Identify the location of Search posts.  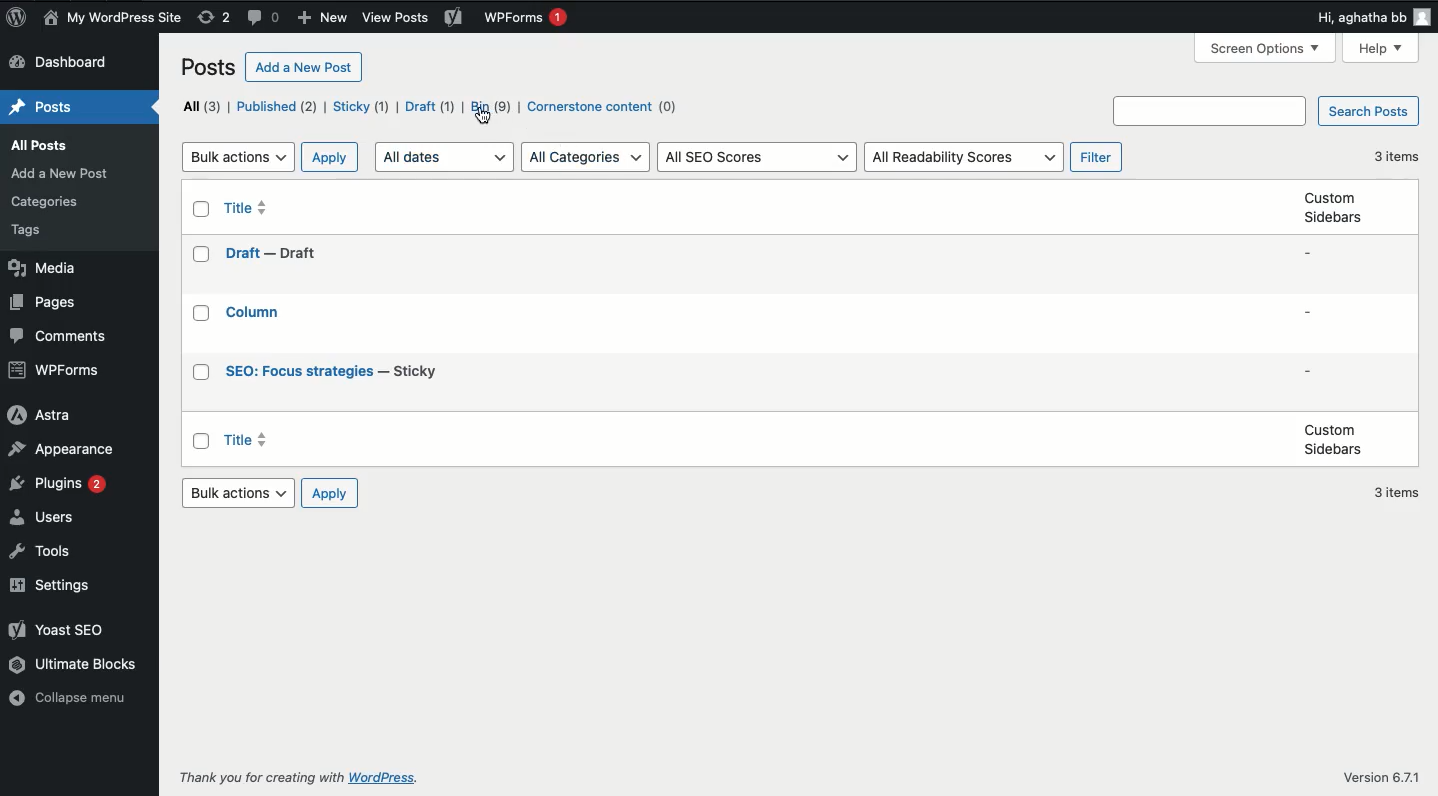
(1371, 112).